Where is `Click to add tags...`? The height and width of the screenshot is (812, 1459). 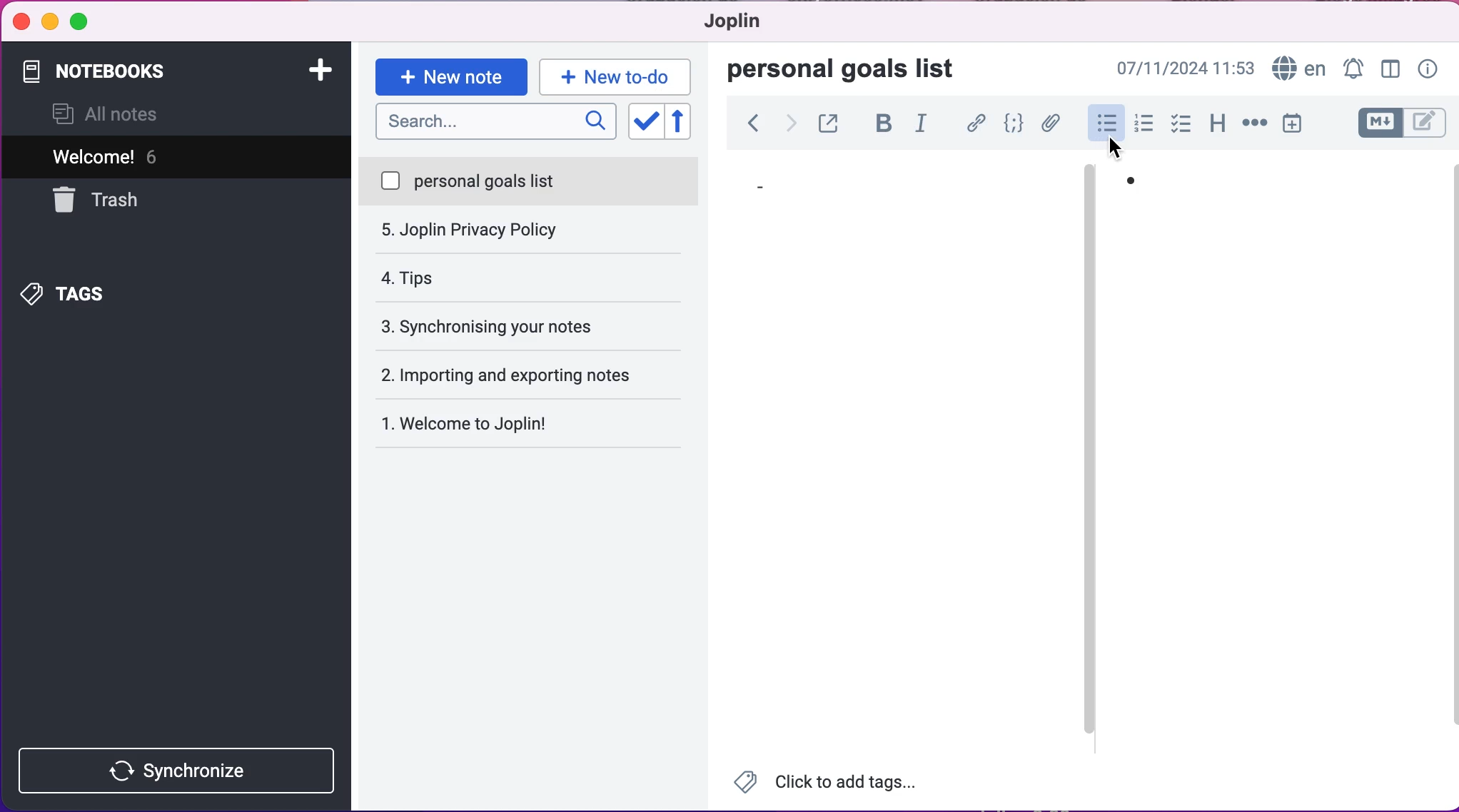
Click to add tags... is located at coordinates (834, 783).